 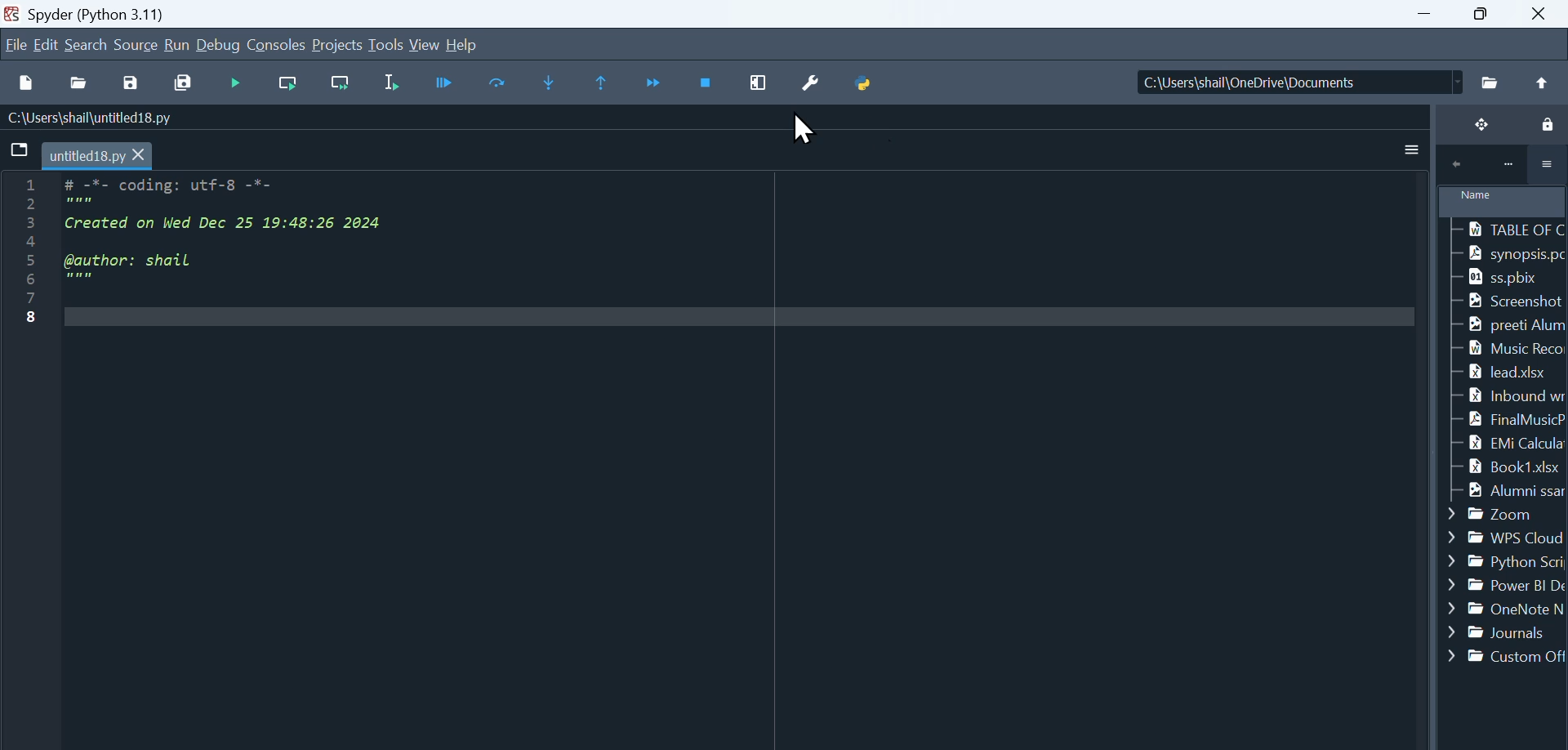 What do you see at coordinates (1508, 350) in the screenshot?
I see `Music Rec..` at bounding box center [1508, 350].